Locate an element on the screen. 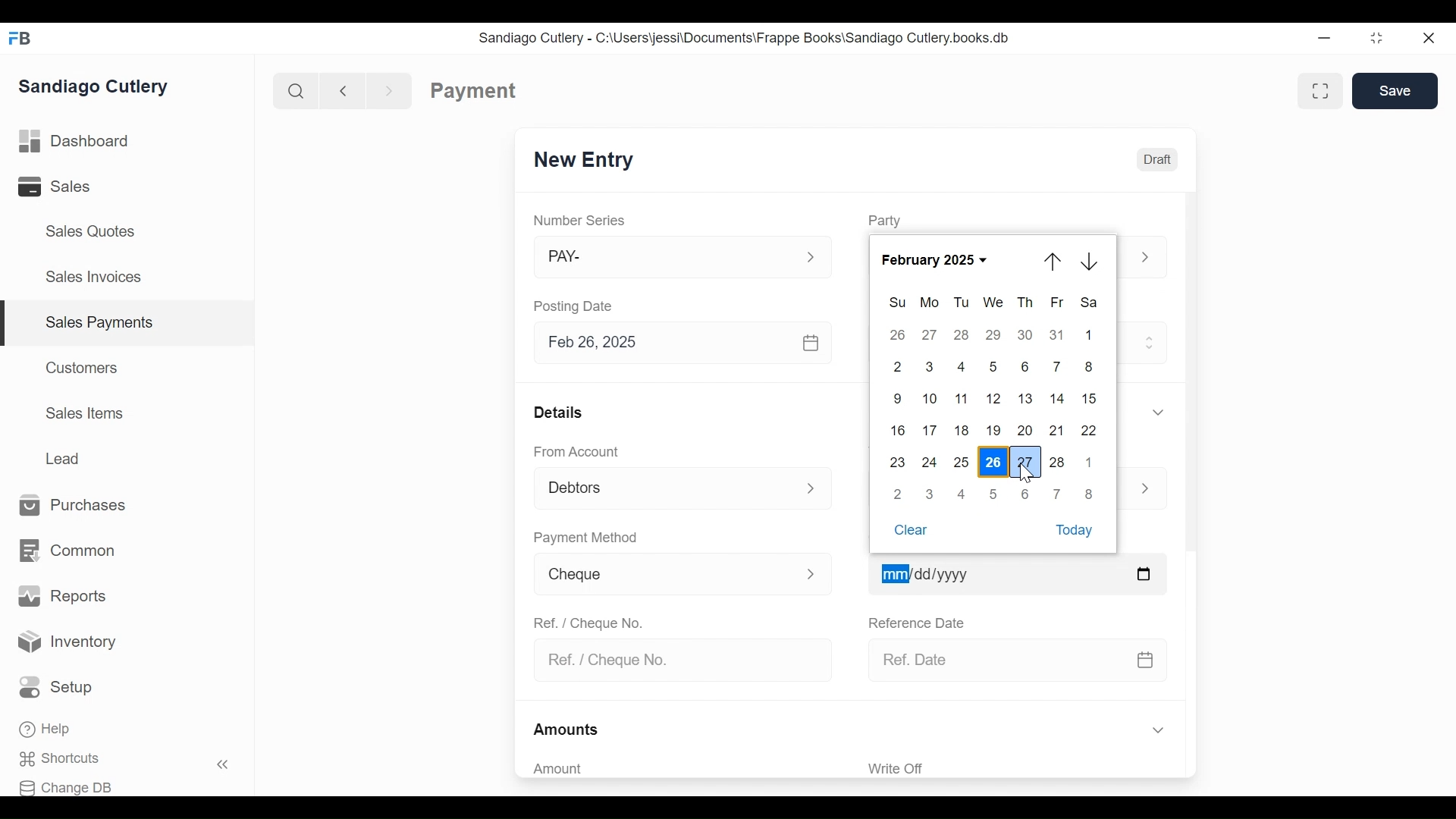 This screenshot has height=819, width=1456. Sales Quotes is located at coordinates (89, 231).